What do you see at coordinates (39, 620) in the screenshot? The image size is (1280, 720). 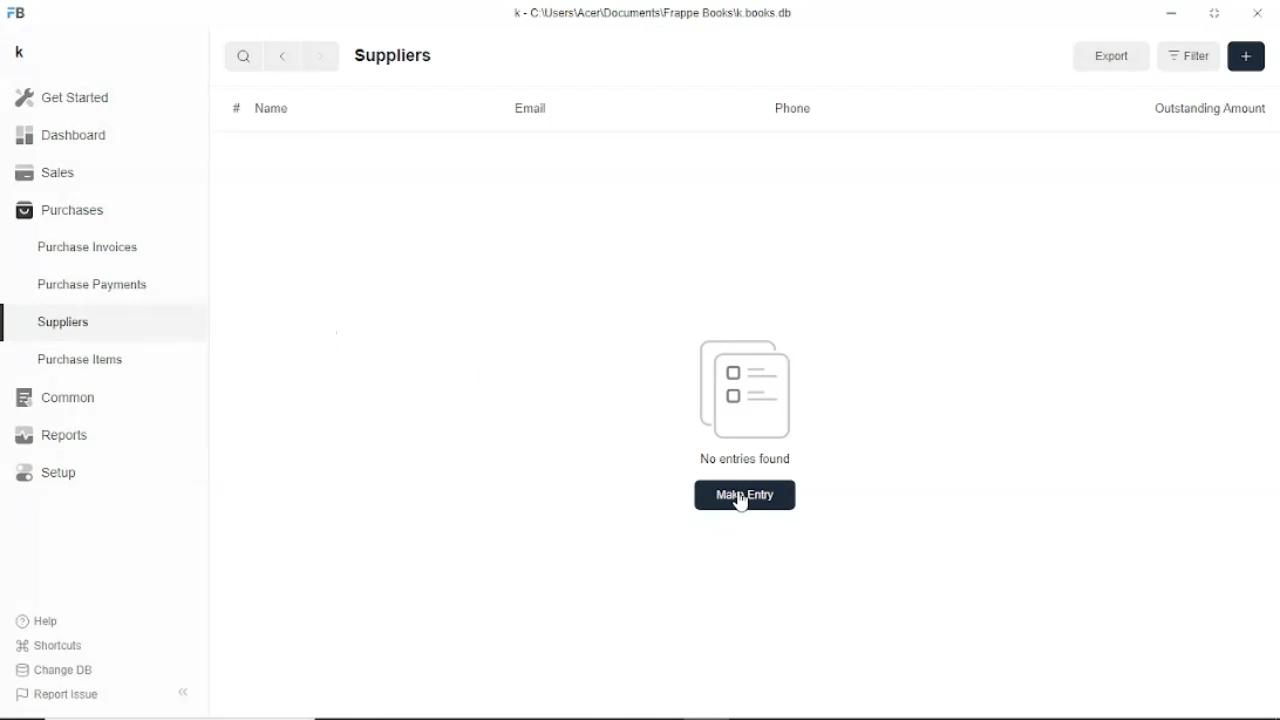 I see `Help` at bounding box center [39, 620].